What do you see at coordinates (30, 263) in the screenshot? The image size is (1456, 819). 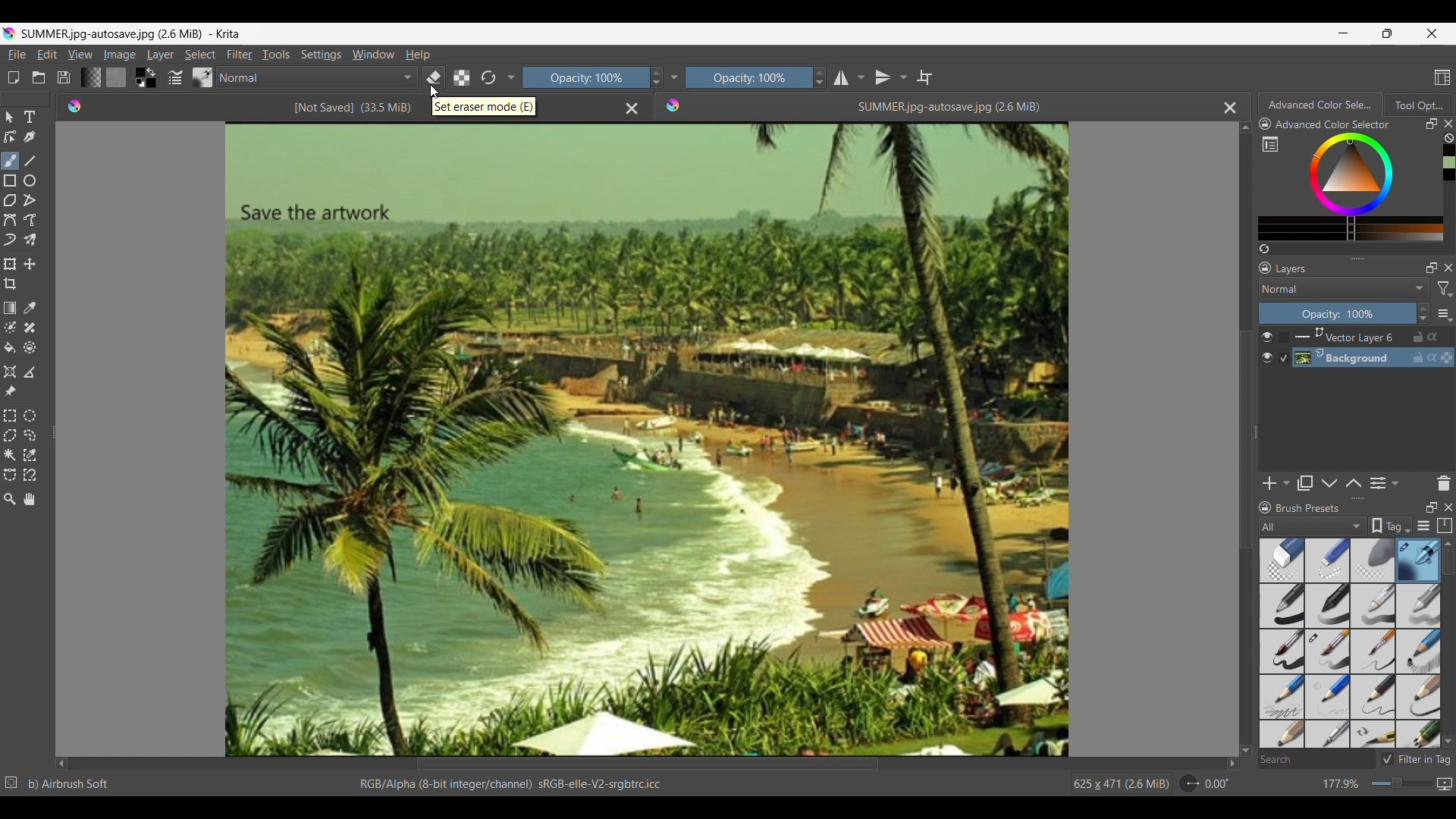 I see `Move a layer` at bounding box center [30, 263].